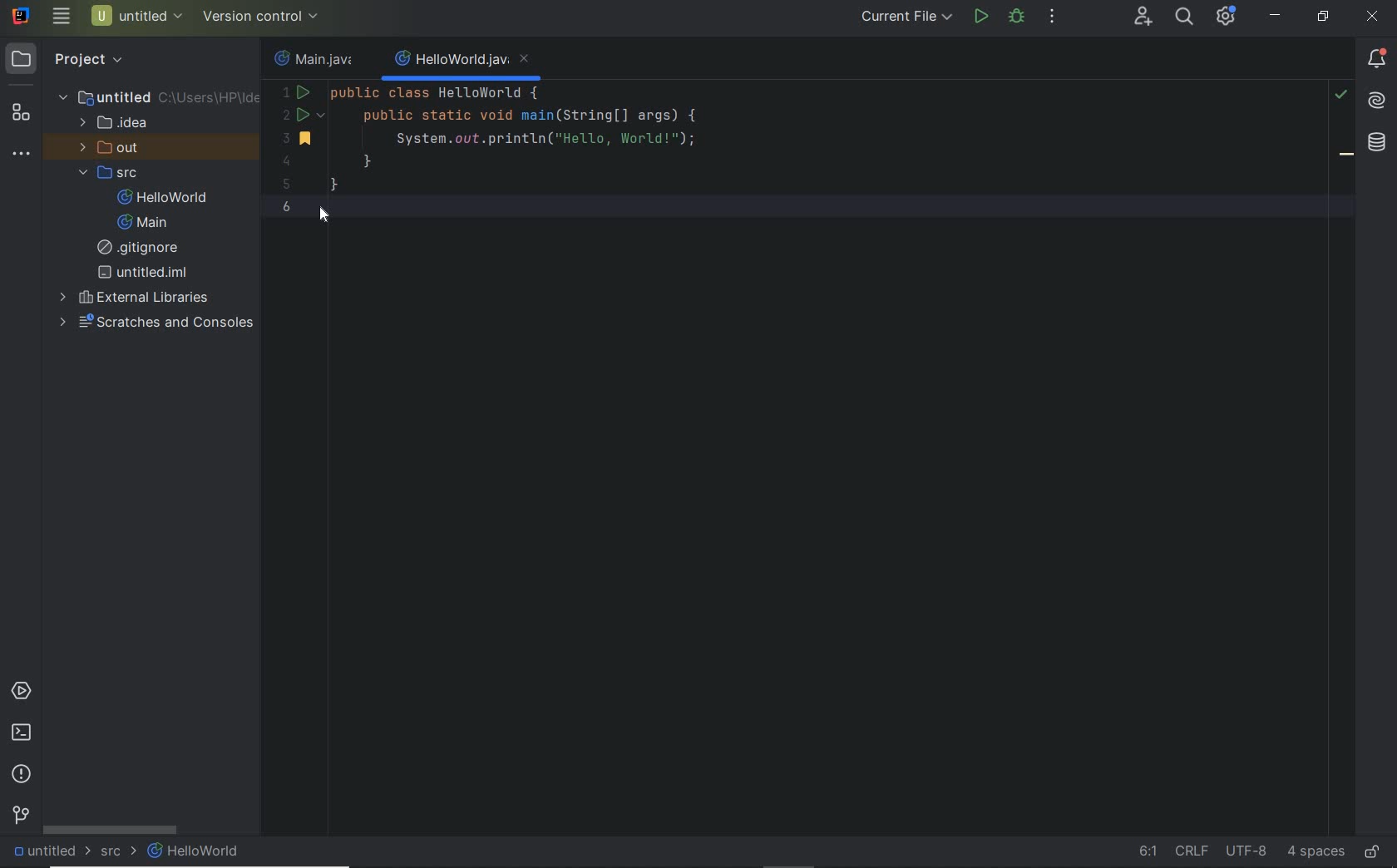 The width and height of the screenshot is (1397, 868). Describe the element at coordinates (22, 816) in the screenshot. I see `version control` at that location.